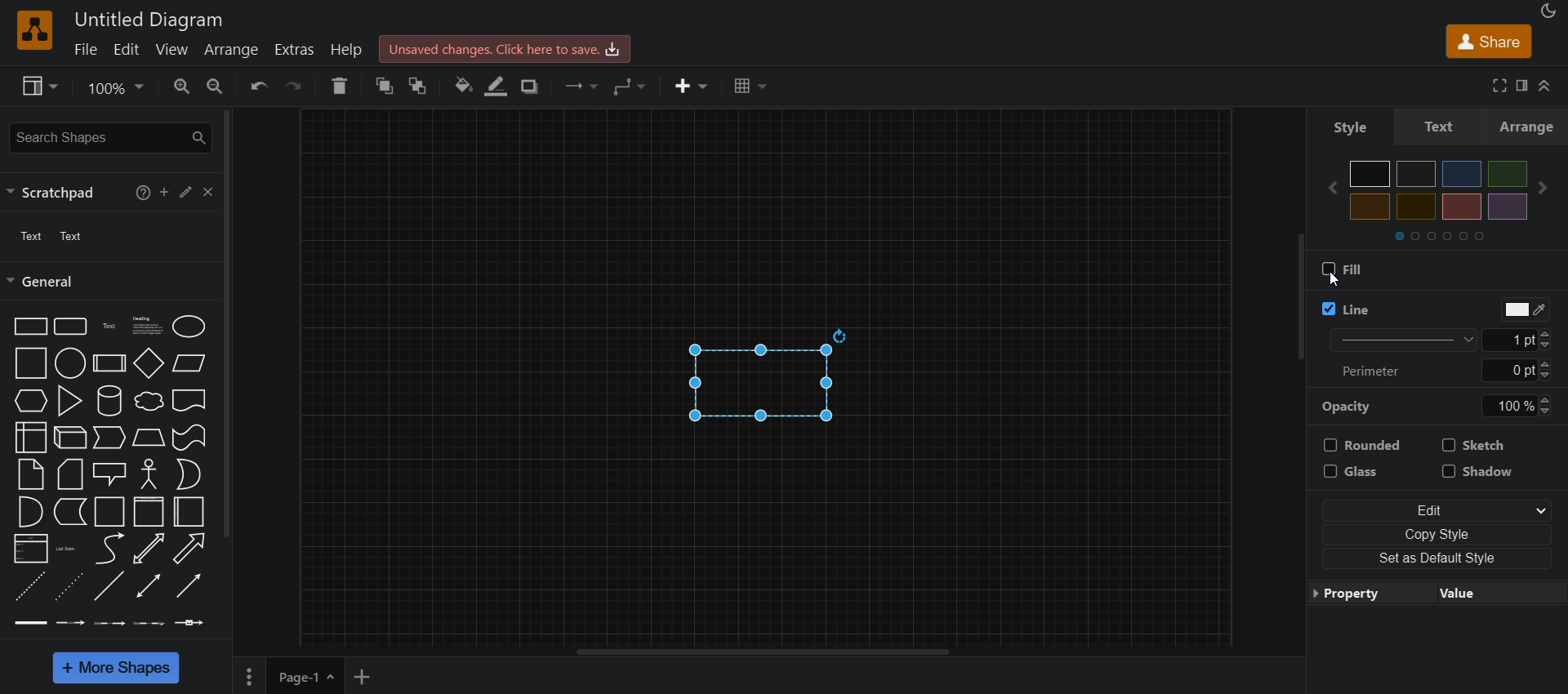 The height and width of the screenshot is (694, 1568). What do you see at coordinates (144, 191) in the screenshot?
I see `help` at bounding box center [144, 191].